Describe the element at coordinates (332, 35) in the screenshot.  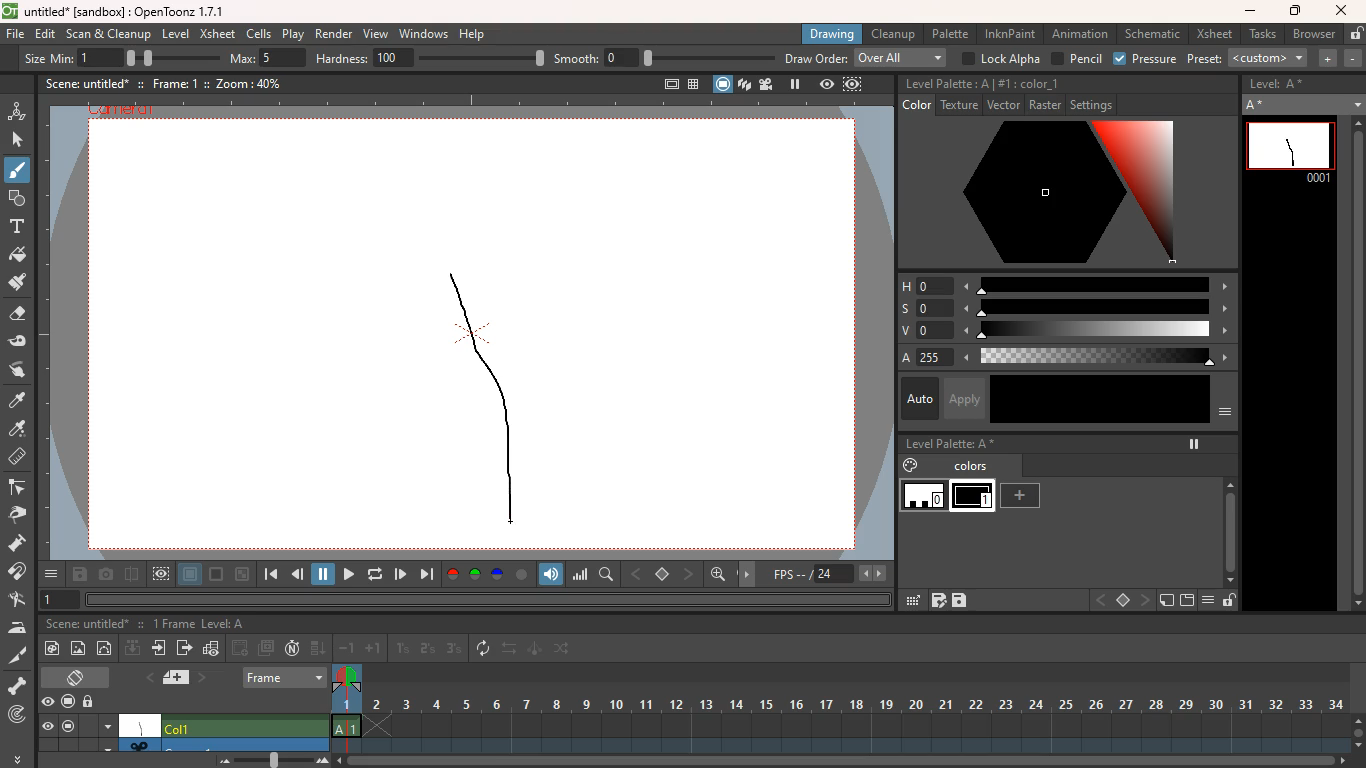
I see `render` at that location.